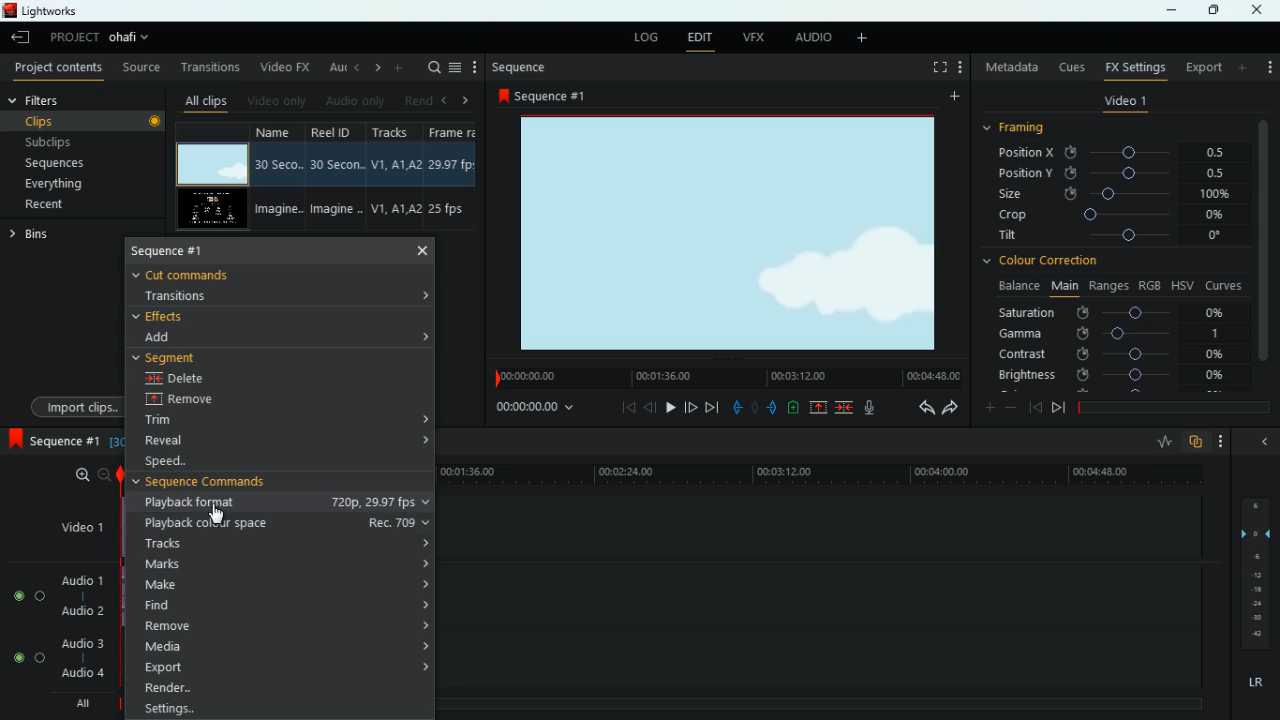 The image size is (1280, 720). I want to click on hsv, so click(1180, 285).